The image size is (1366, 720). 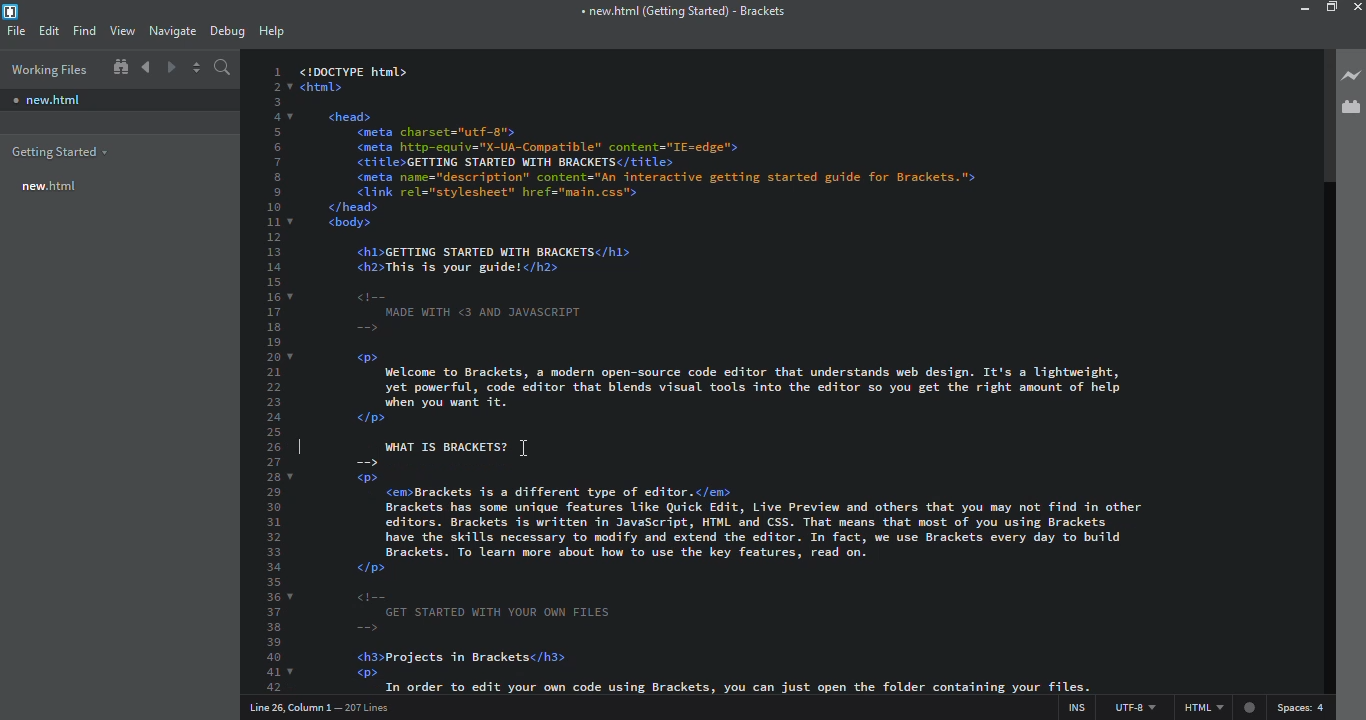 I want to click on close, so click(x=1360, y=7).